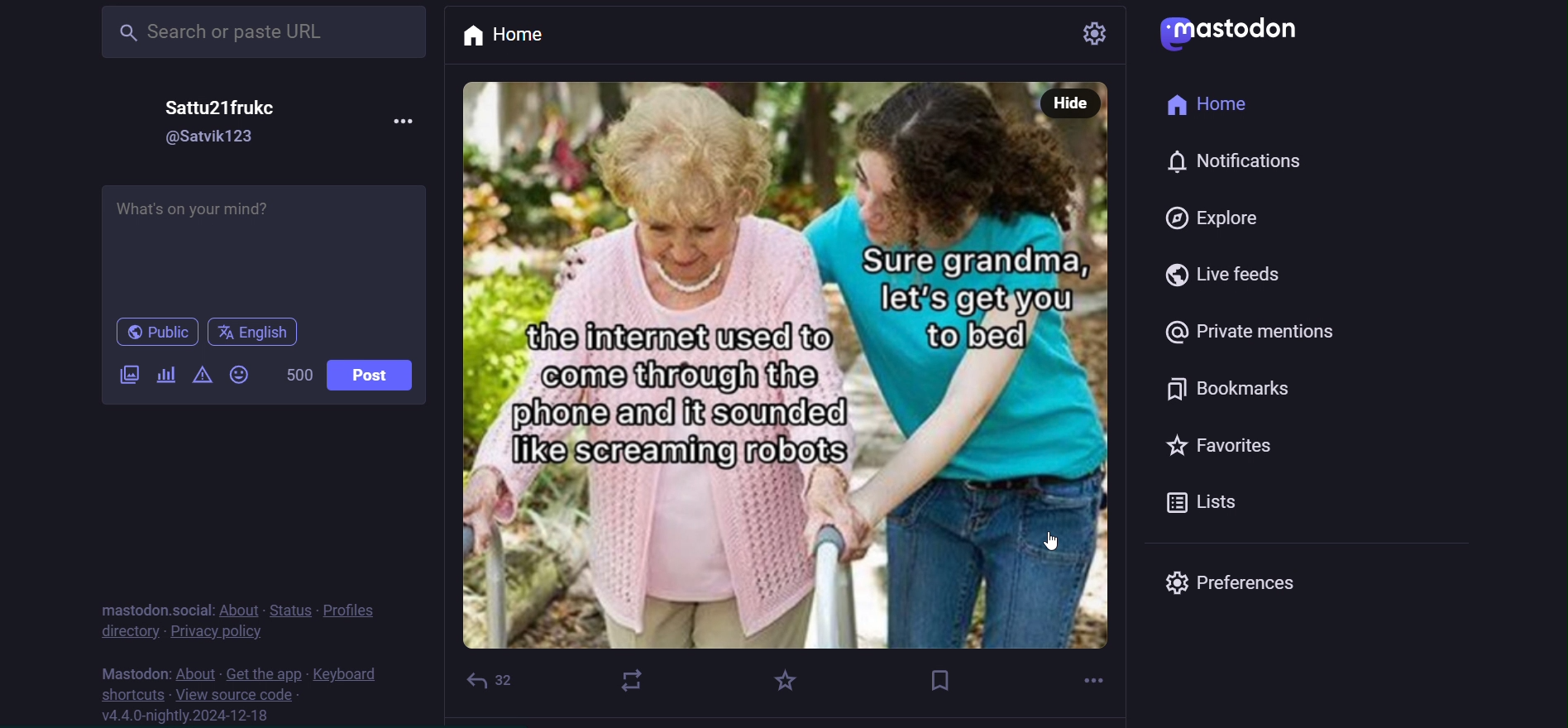 The image size is (1568, 728). What do you see at coordinates (239, 610) in the screenshot?
I see `about` at bounding box center [239, 610].